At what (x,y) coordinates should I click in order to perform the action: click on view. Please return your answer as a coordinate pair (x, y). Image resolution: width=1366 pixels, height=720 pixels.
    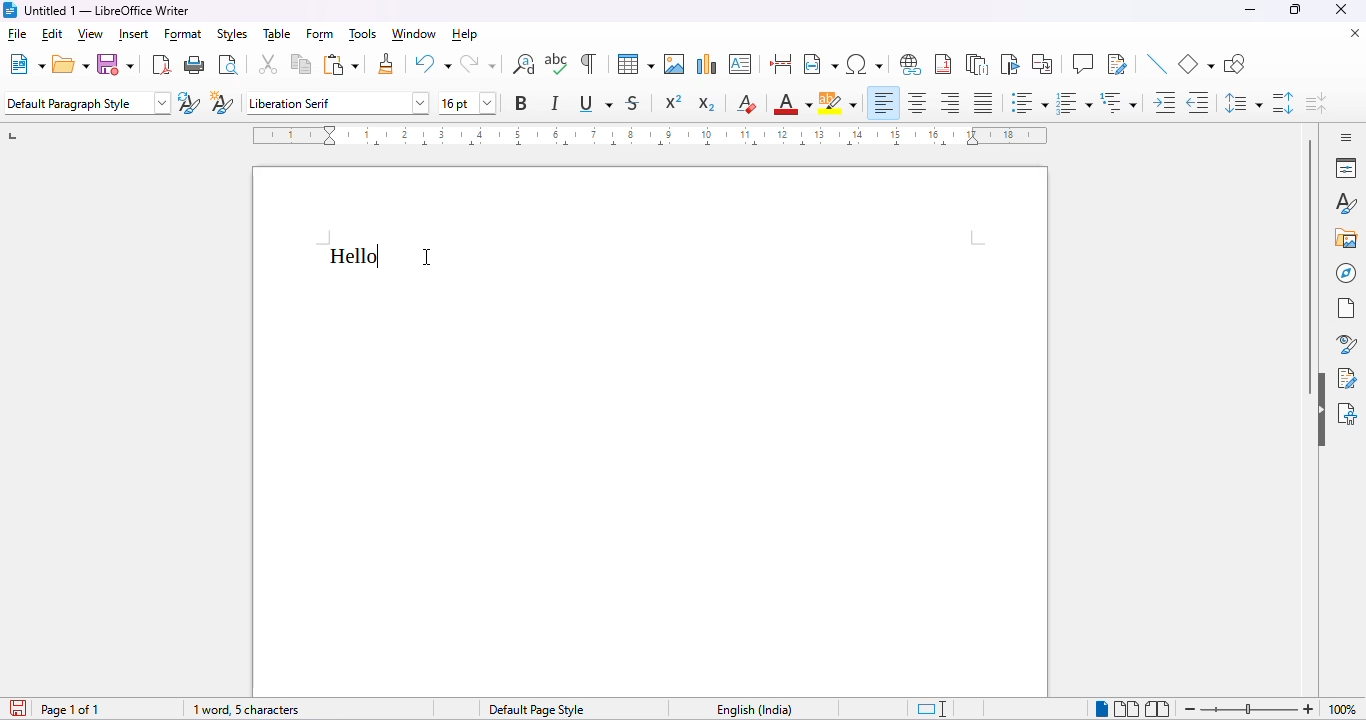
    Looking at the image, I should click on (91, 34).